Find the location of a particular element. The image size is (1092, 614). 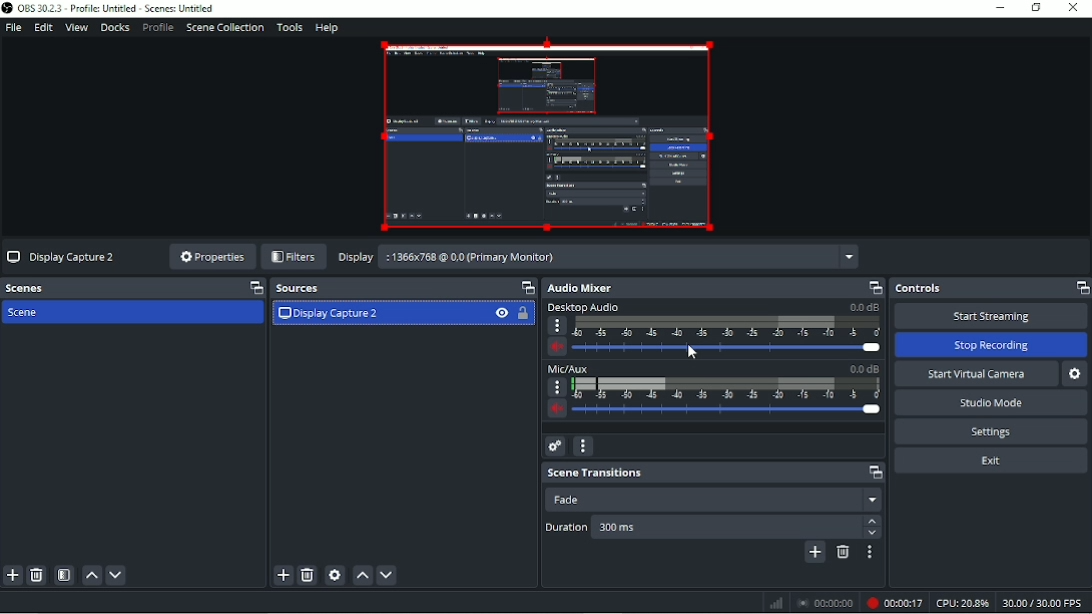

Move scene down is located at coordinates (116, 576).